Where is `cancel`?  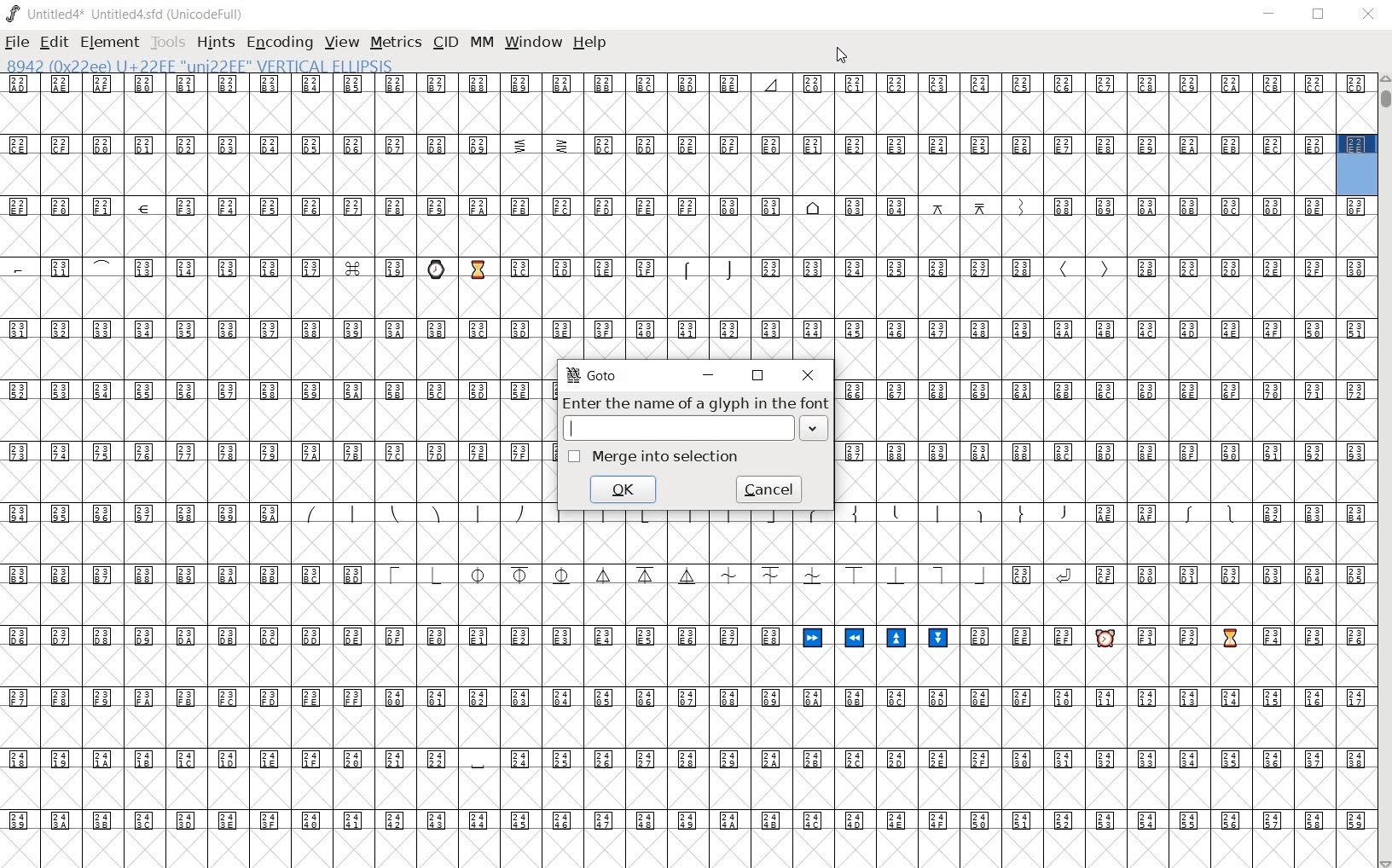
cancel is located at coordinates (769, 489).